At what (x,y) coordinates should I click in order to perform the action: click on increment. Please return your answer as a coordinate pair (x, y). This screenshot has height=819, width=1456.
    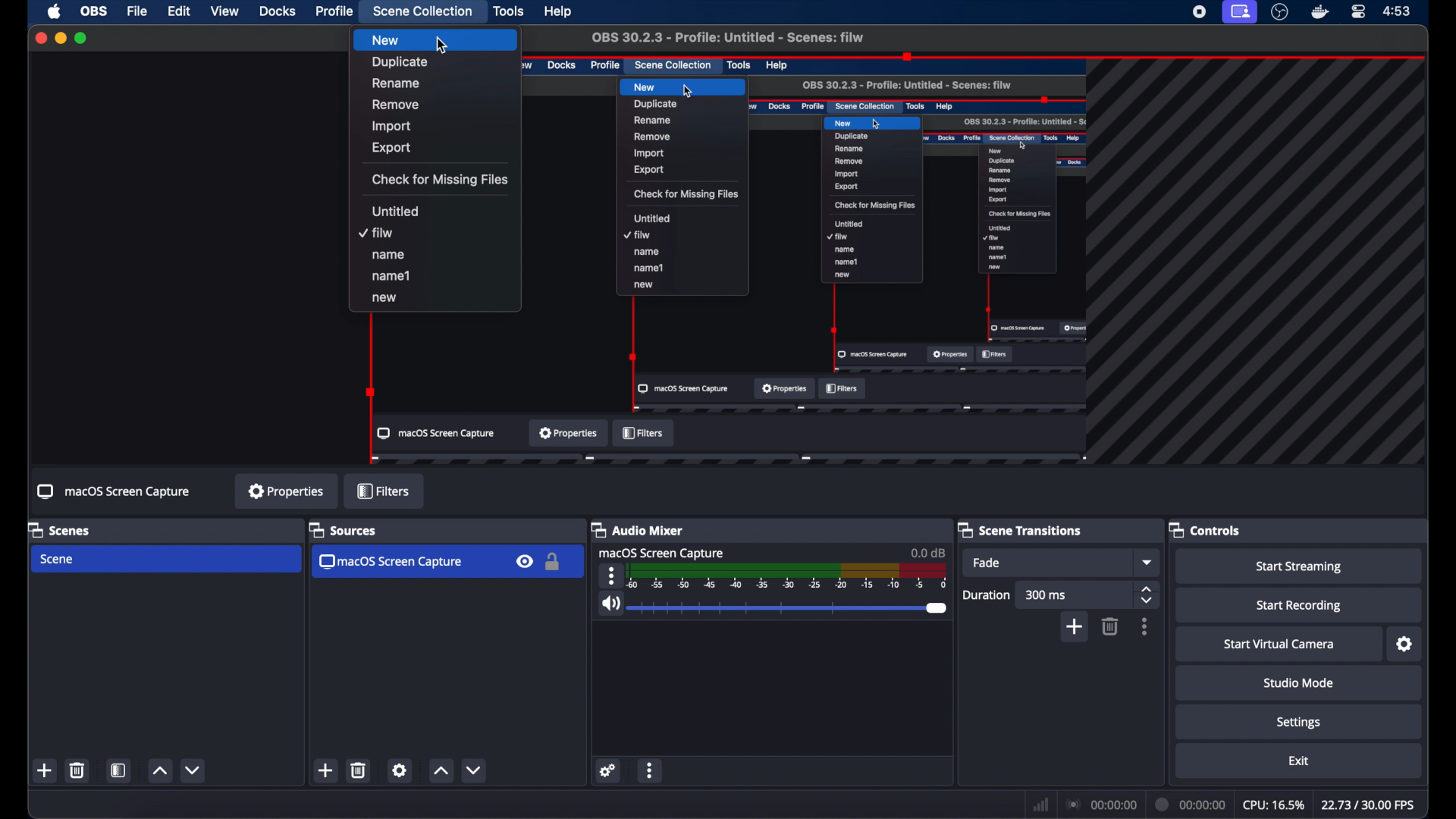
    Looking at the image, I should click on (441, 771).